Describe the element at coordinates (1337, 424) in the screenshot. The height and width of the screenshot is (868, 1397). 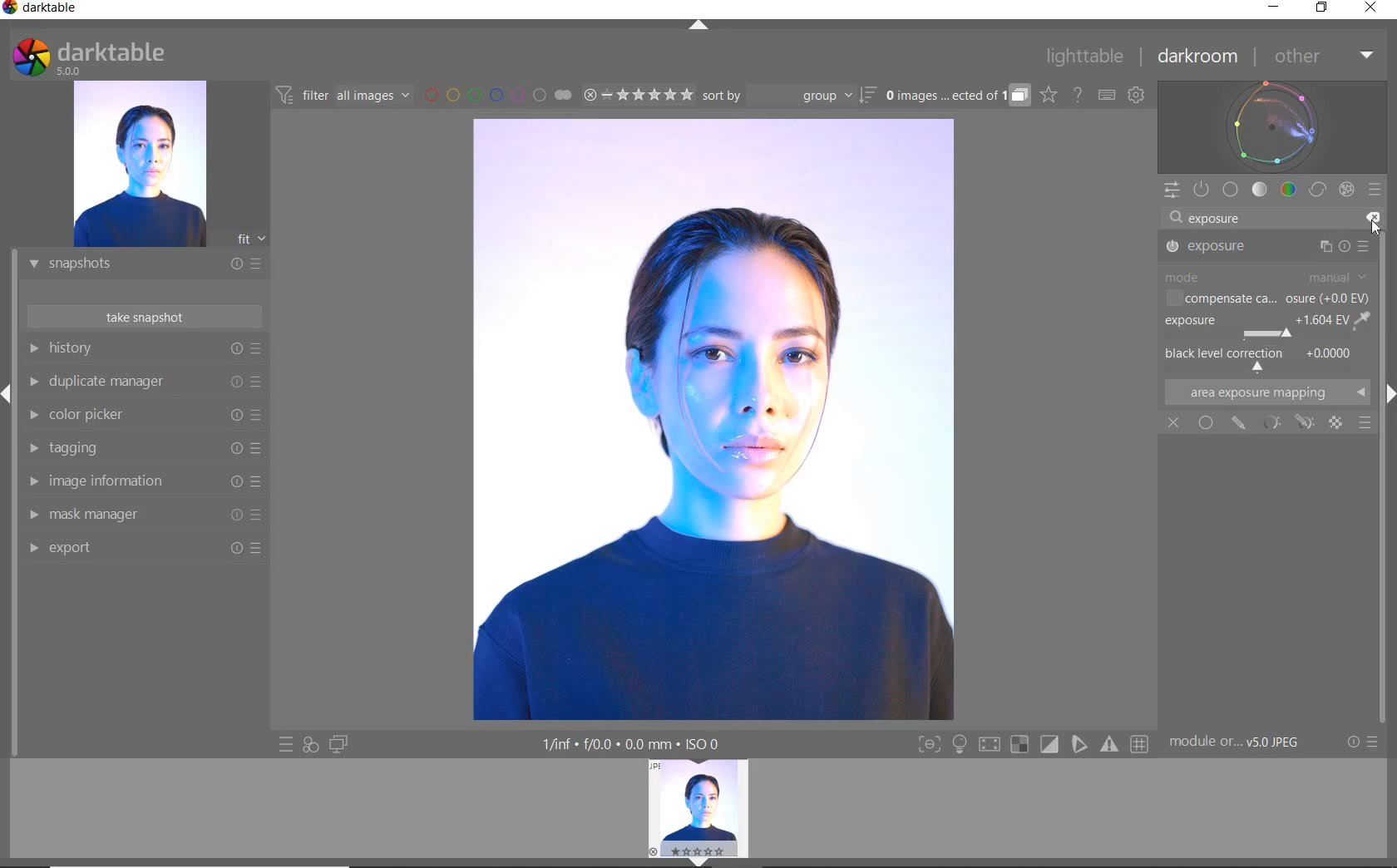
I see `MASK OPTION` at that location.